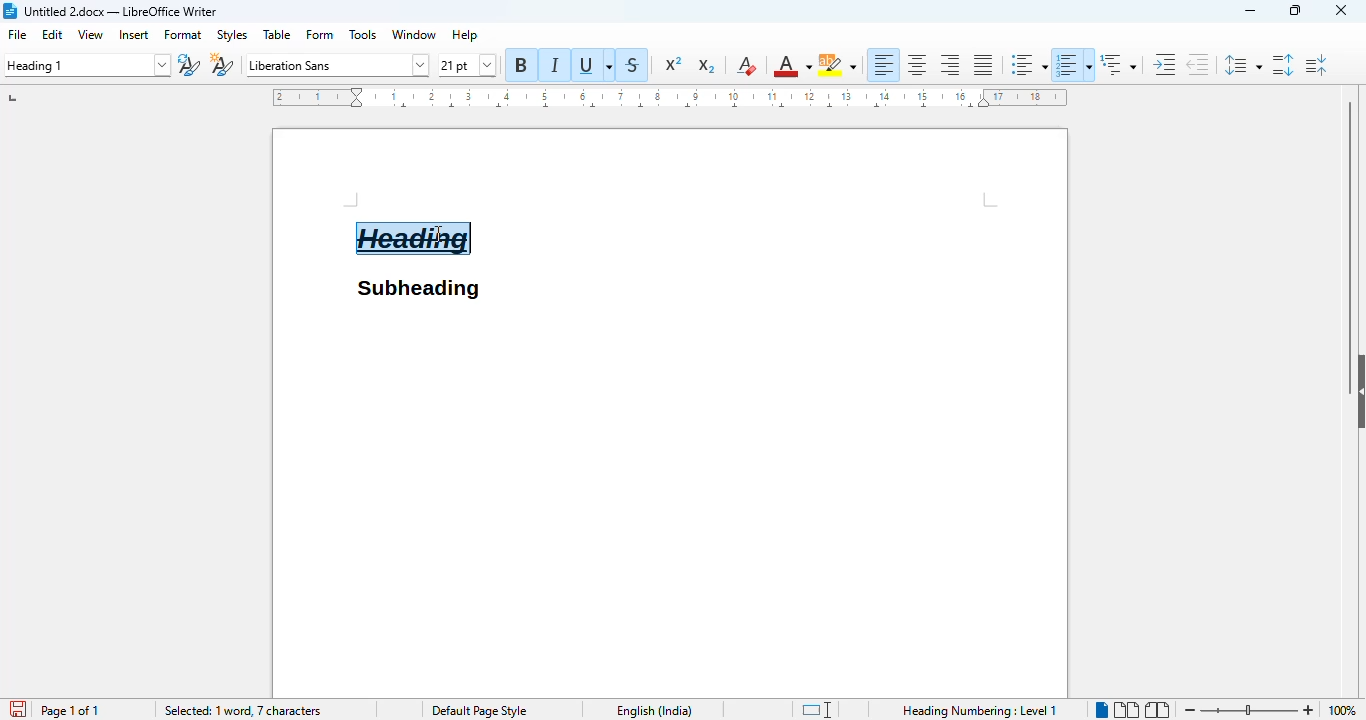  I want to click on multi-page view, so click(1126, 710).